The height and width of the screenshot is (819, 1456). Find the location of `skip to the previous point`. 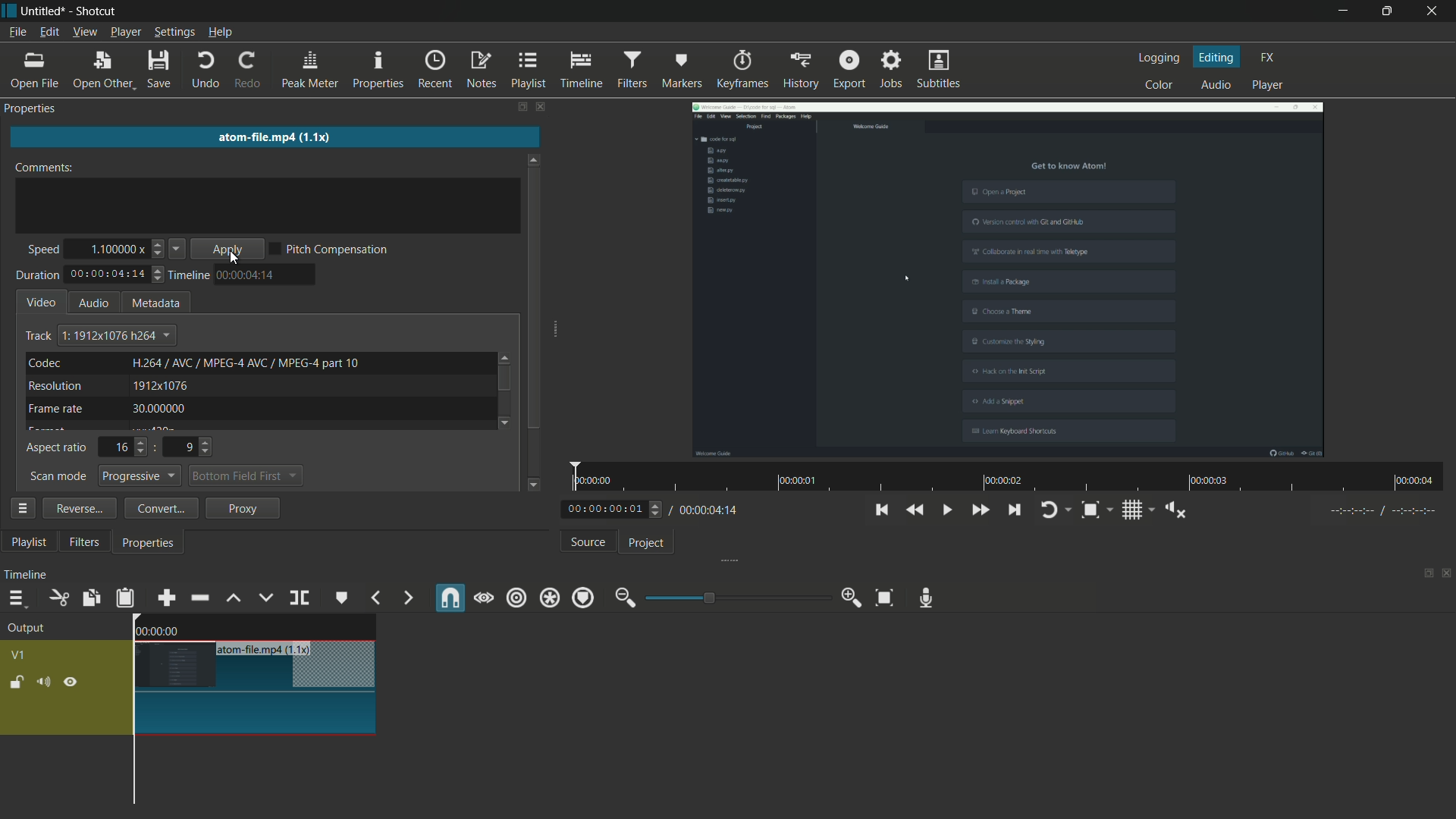

skip to the previous point is located at coordinates (880, 510).